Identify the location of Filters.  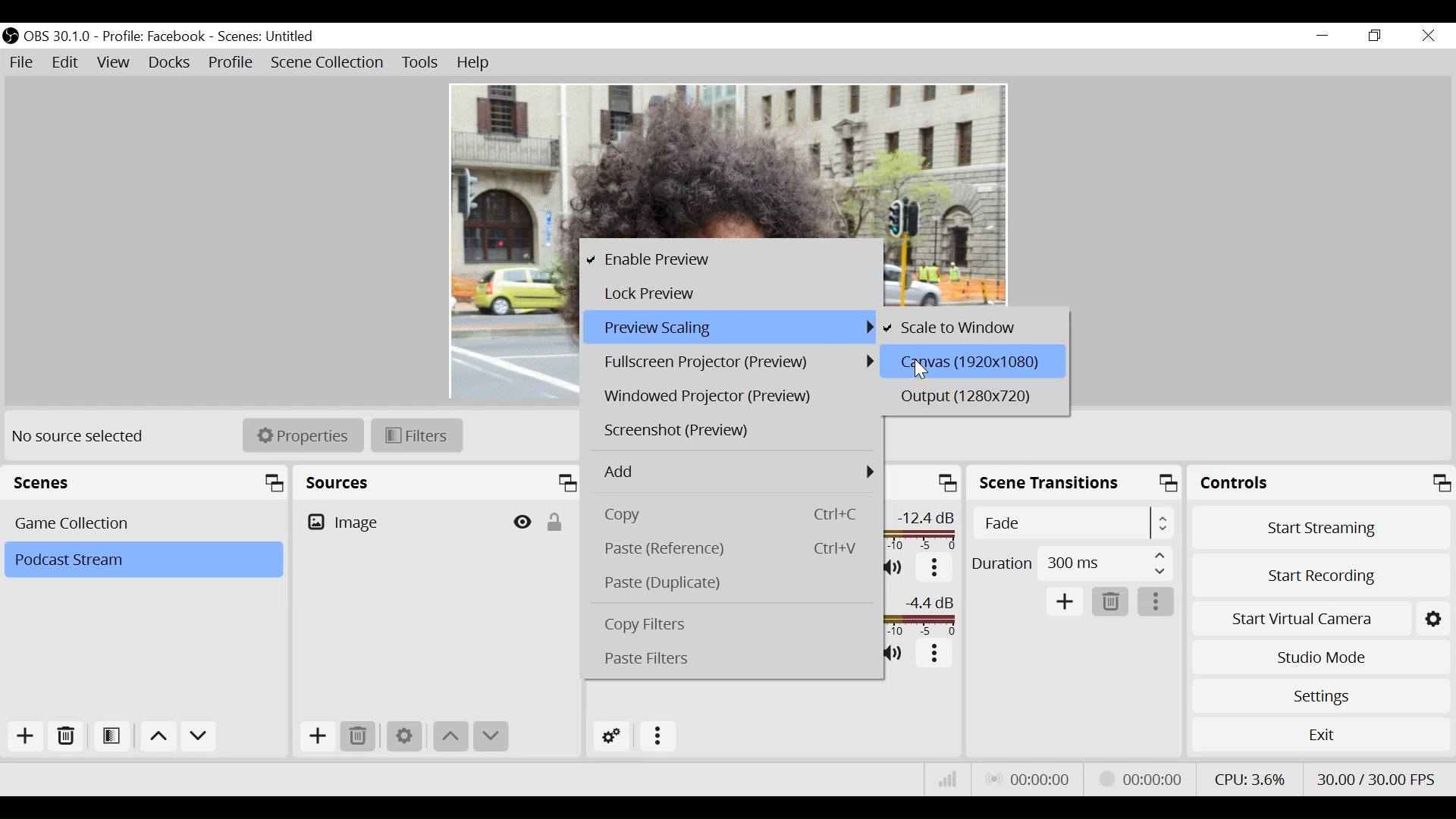
(416, 436).